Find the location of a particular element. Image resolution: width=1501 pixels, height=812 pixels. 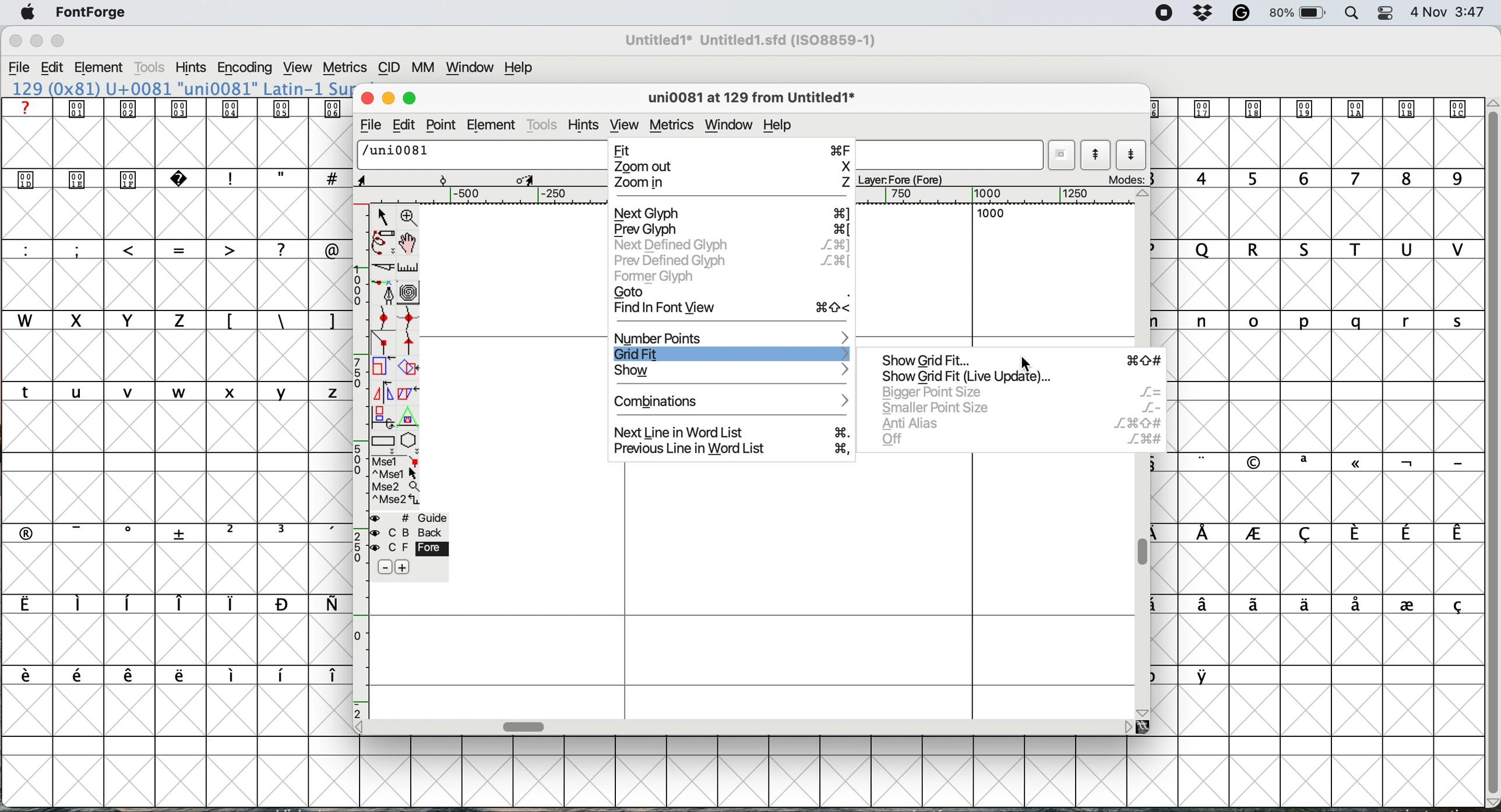

Grammarly Icon is located at coordinates (1241, 13).